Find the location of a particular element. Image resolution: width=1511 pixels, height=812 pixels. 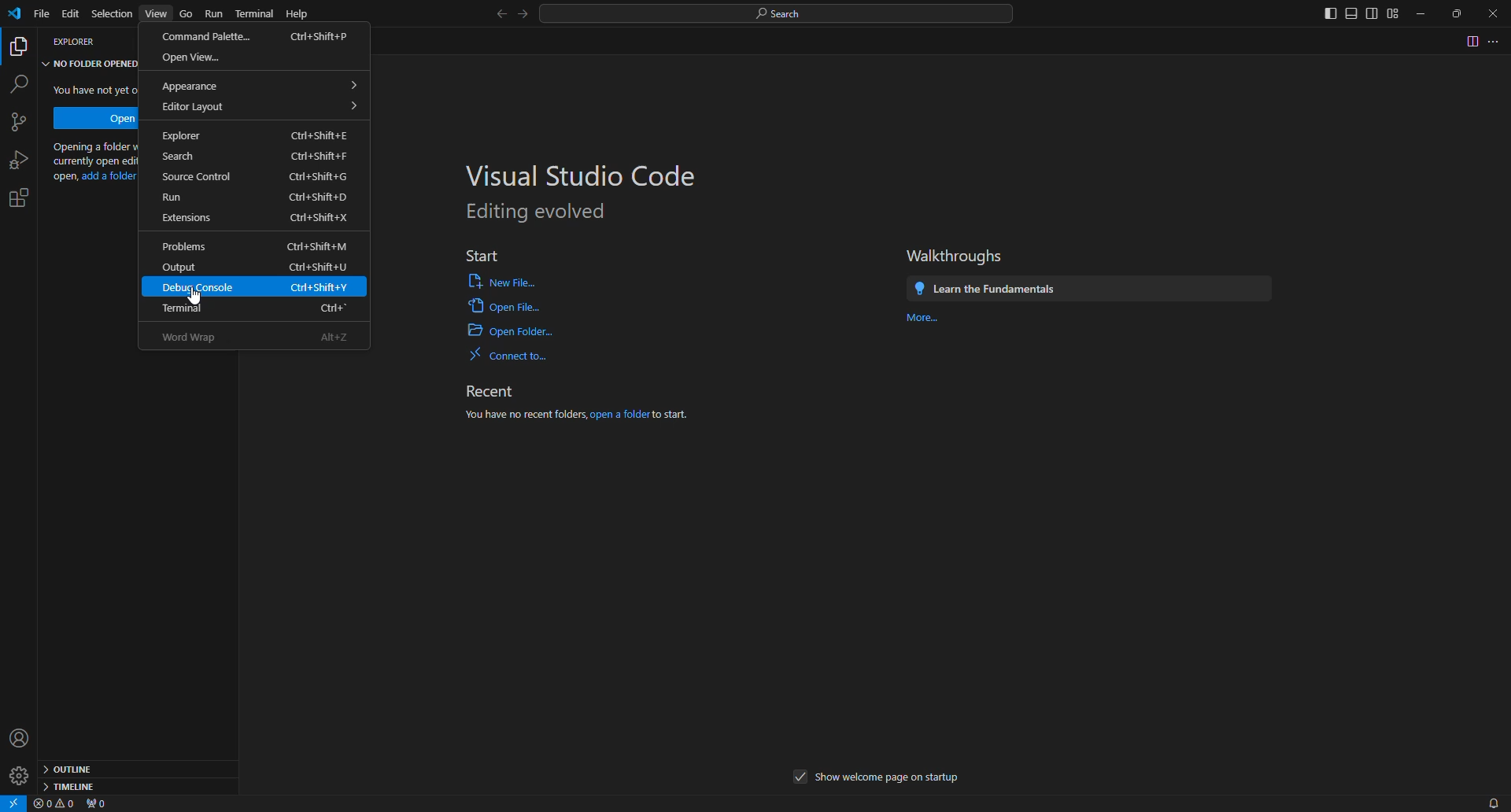

Command Palette is located at coordinates (256, 34).